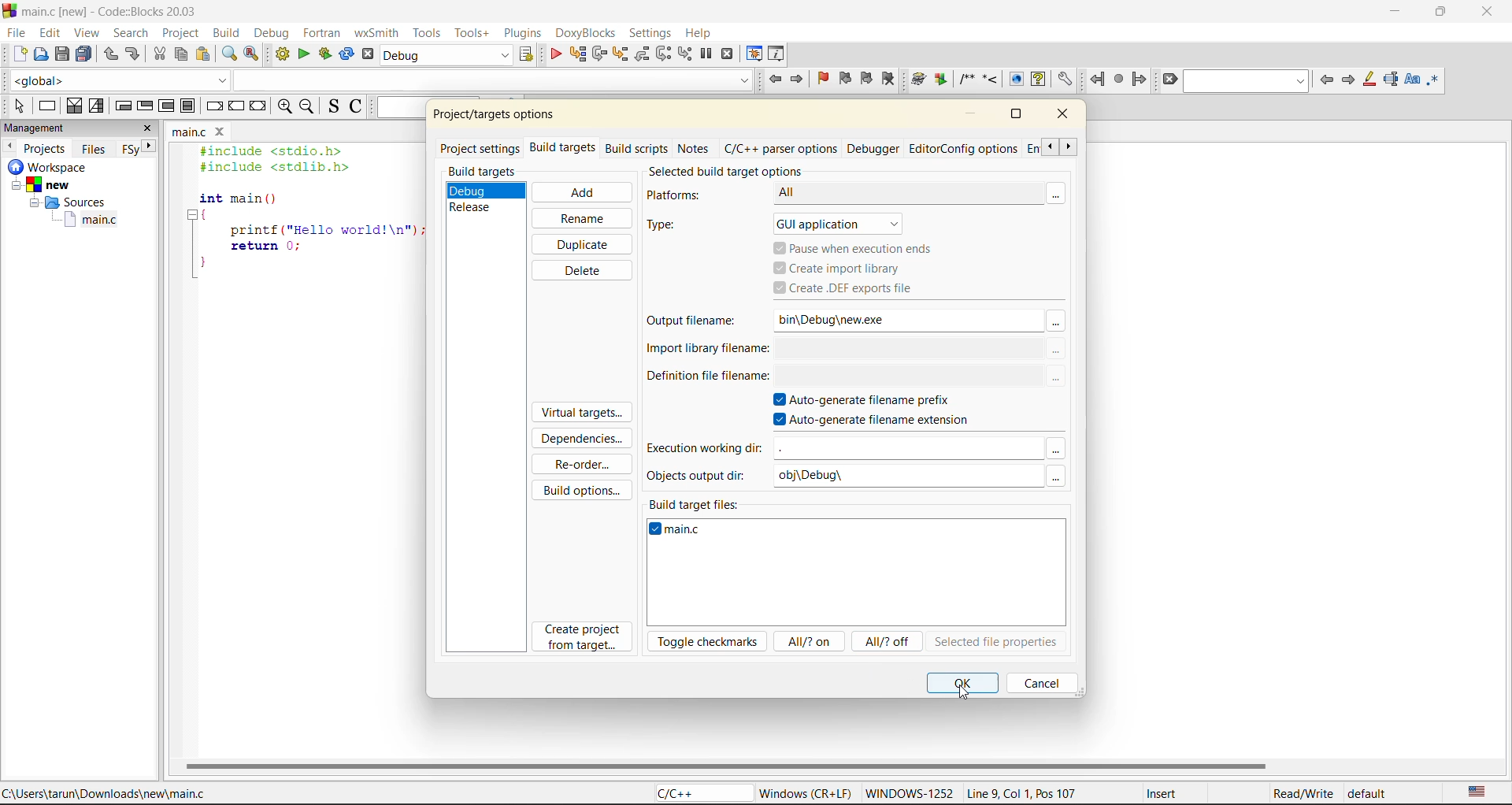 This screenshot has width=1512, height=805. I want to click on search, so click(1247, 82).